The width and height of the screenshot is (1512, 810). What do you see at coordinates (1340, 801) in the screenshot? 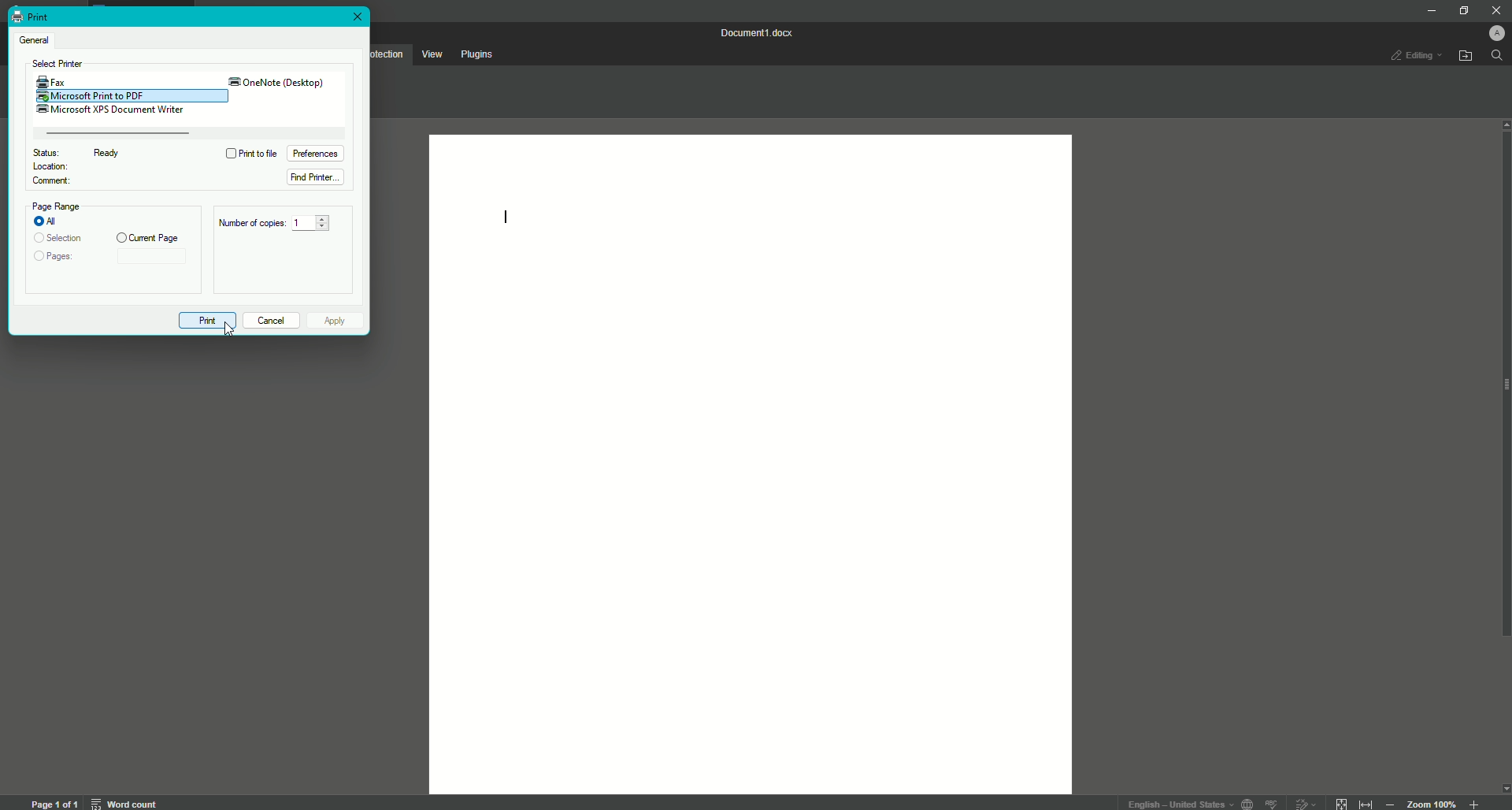
I see `fit to page` at bounding box center [1340, 801].